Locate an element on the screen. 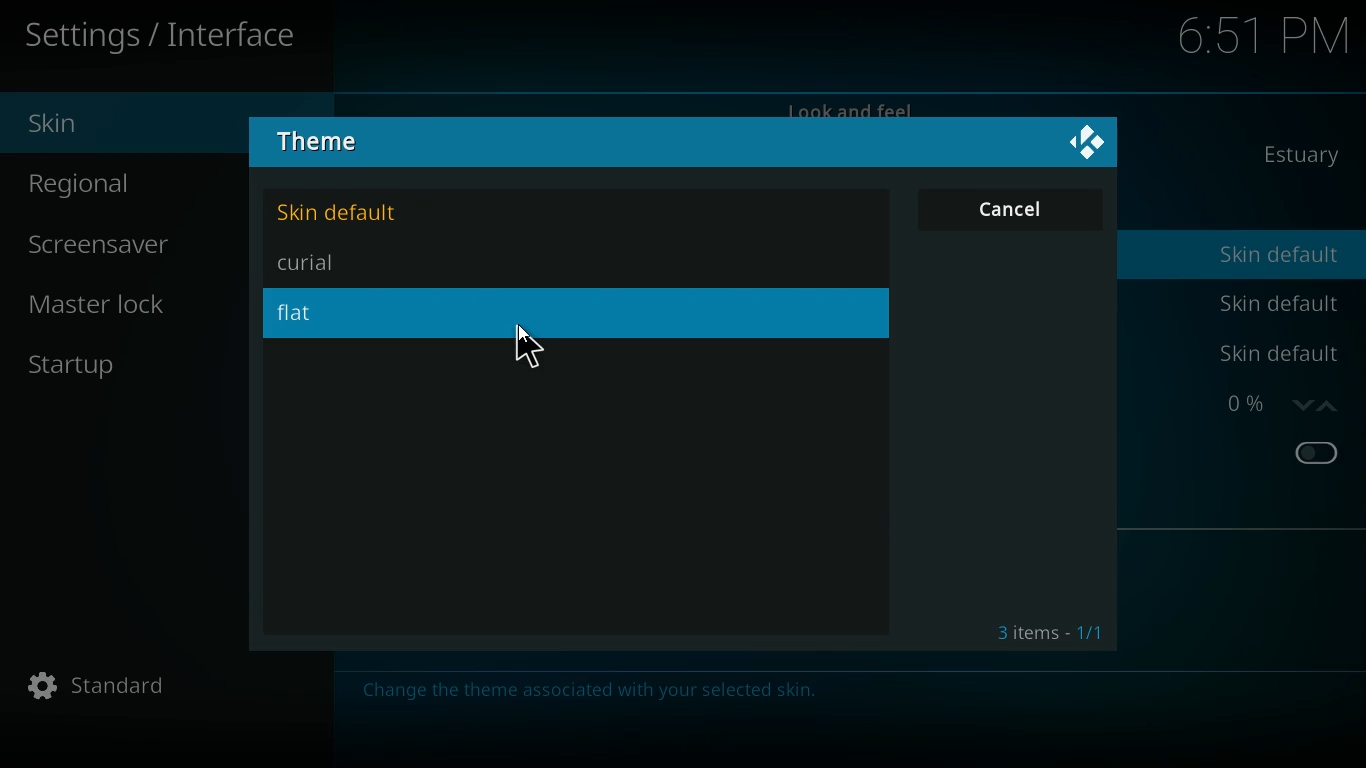 The image size is (1366, 768). regional is located at coordinates (143, 185).